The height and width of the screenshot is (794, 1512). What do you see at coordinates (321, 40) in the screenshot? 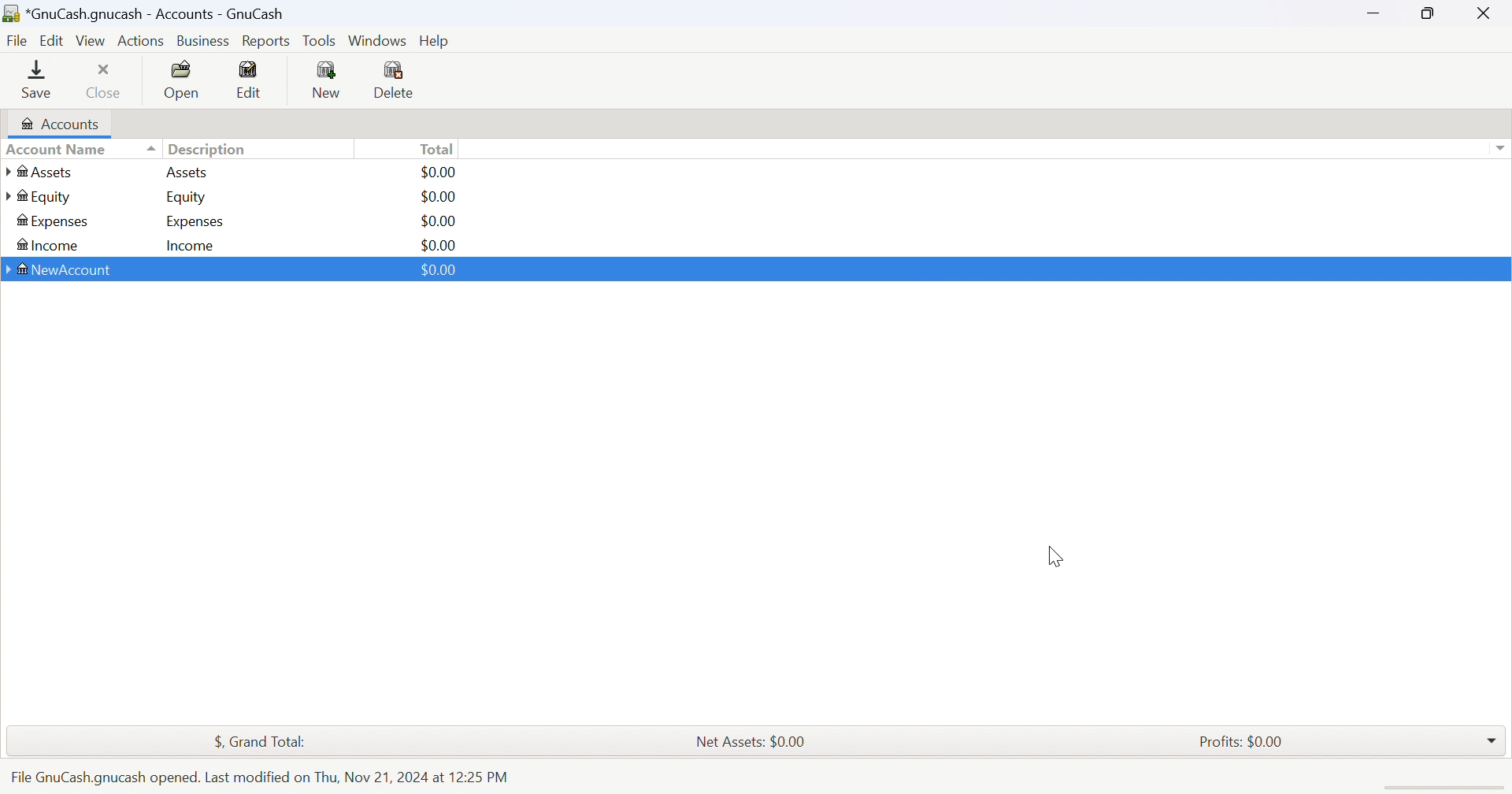
I see `Tools` at bounding box center [321, 40].